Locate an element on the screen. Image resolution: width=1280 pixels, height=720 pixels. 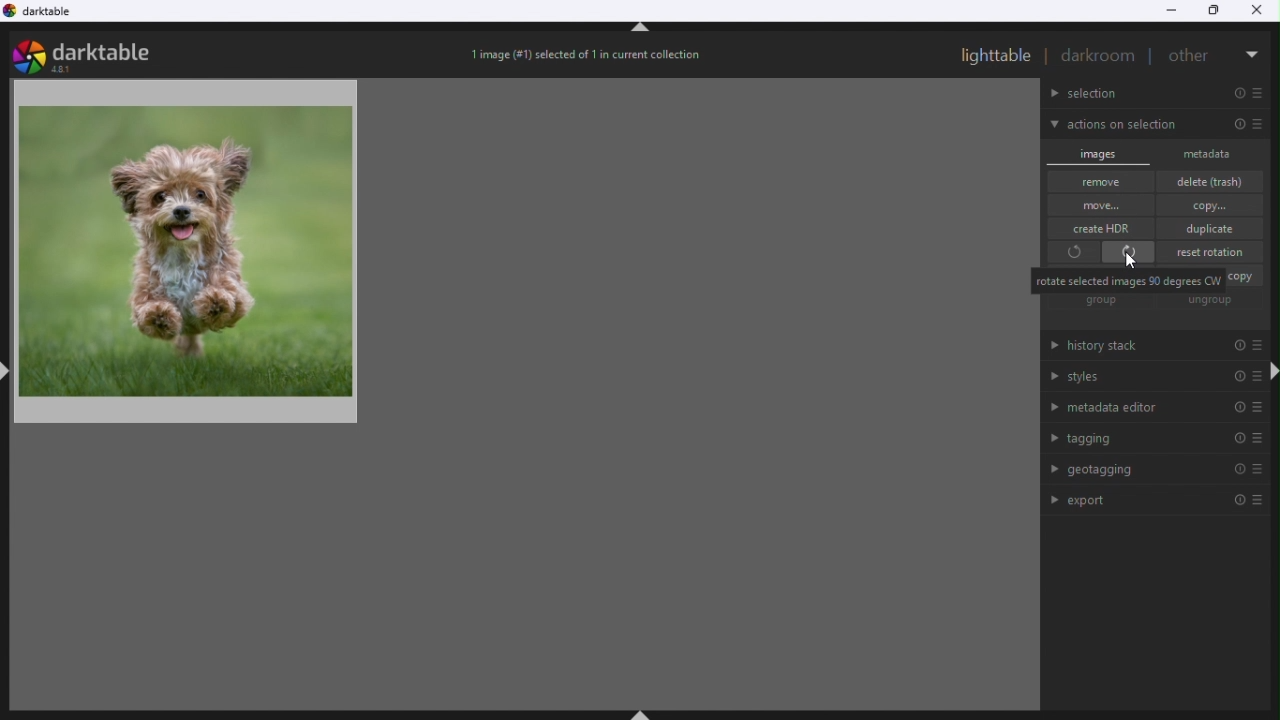
Group is located at coordinates (1102, 302).